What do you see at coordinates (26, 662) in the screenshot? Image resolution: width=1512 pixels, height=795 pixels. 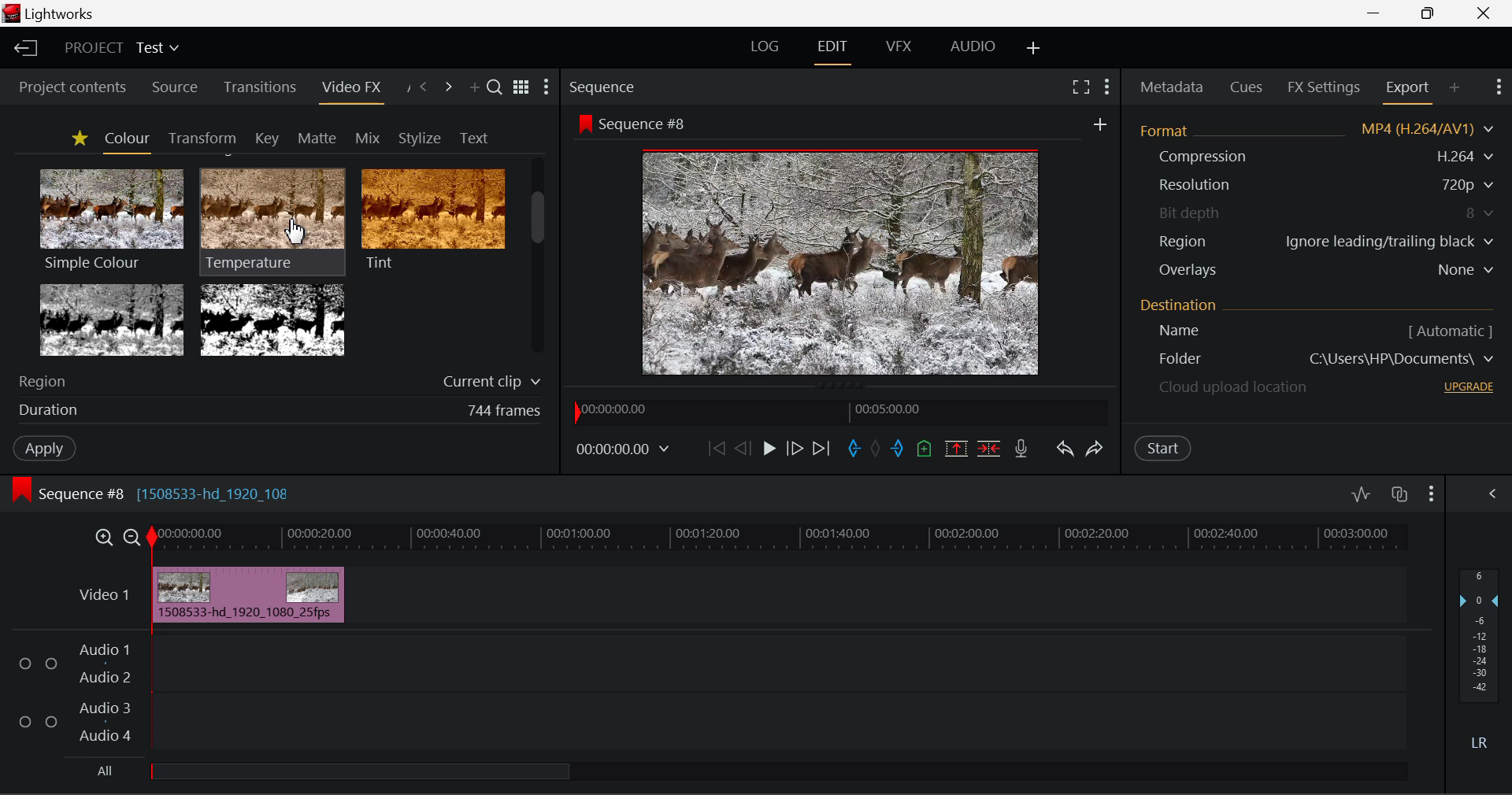 I see `Checkbox` at bounding box center [26, 662].